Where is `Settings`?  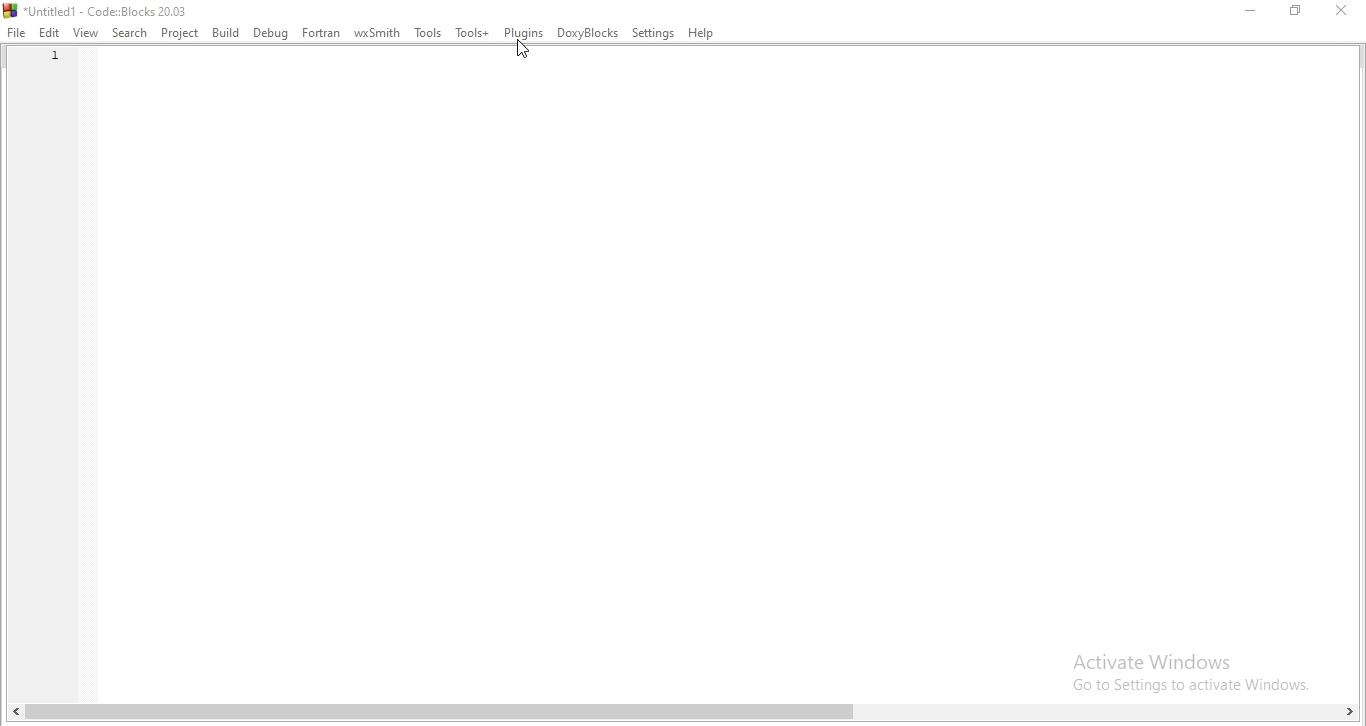
Settings is located at coordinates (653, 34).